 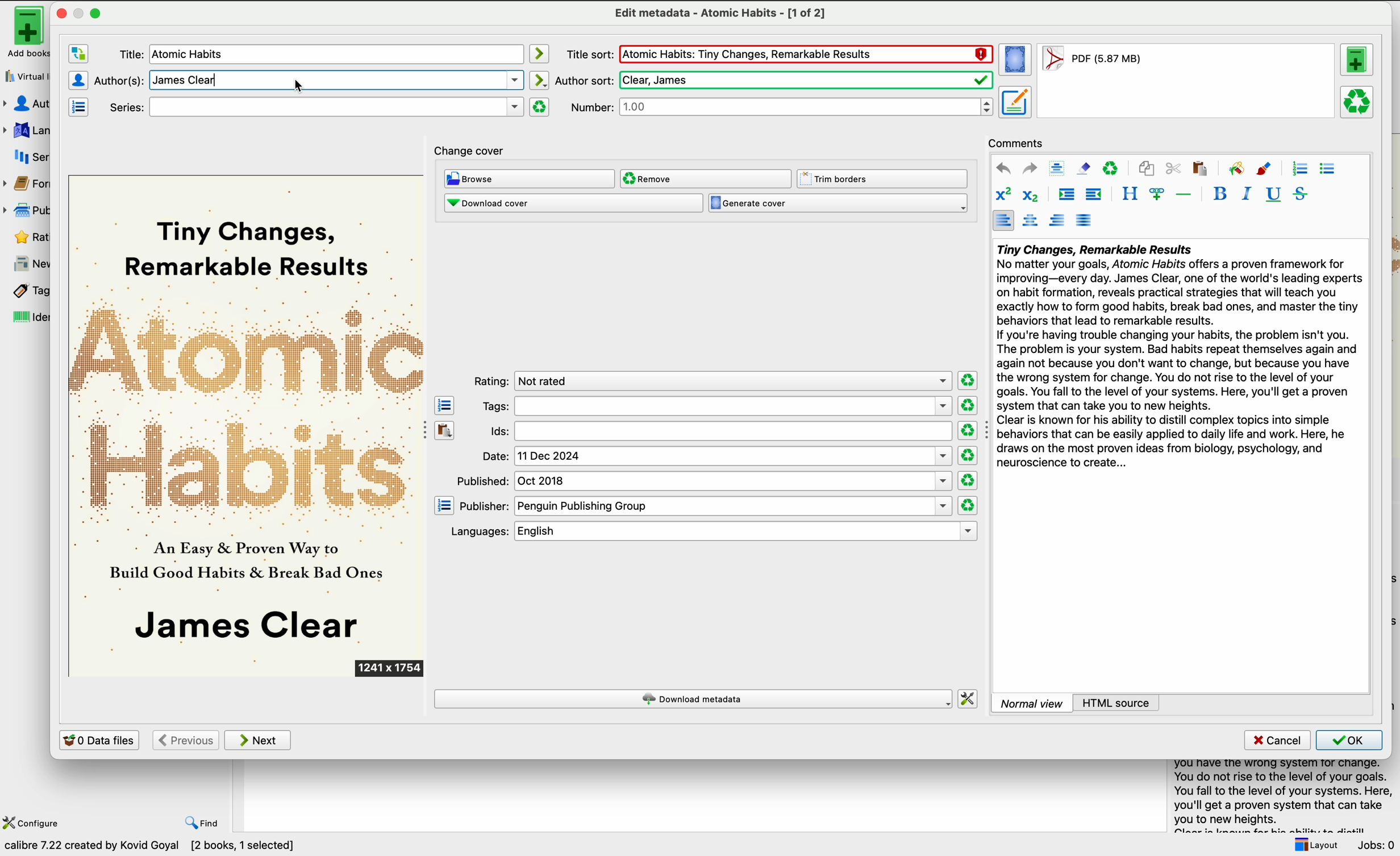 What do you see at coordinates (28, 186) in the screenshot?
I see `formats` at bounding box center [28, 186].